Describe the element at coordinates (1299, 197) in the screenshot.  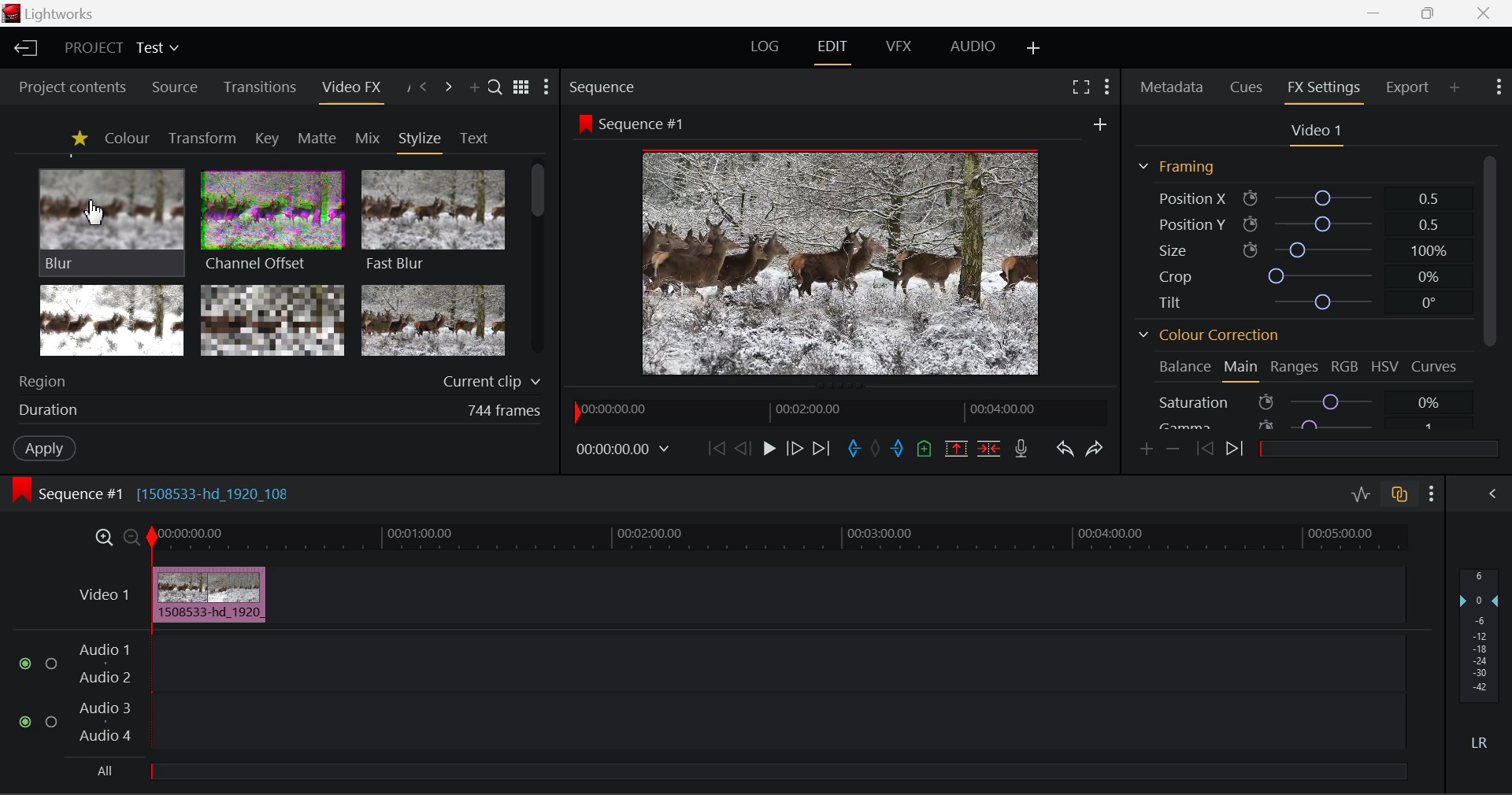
I see `Position X` at that location.